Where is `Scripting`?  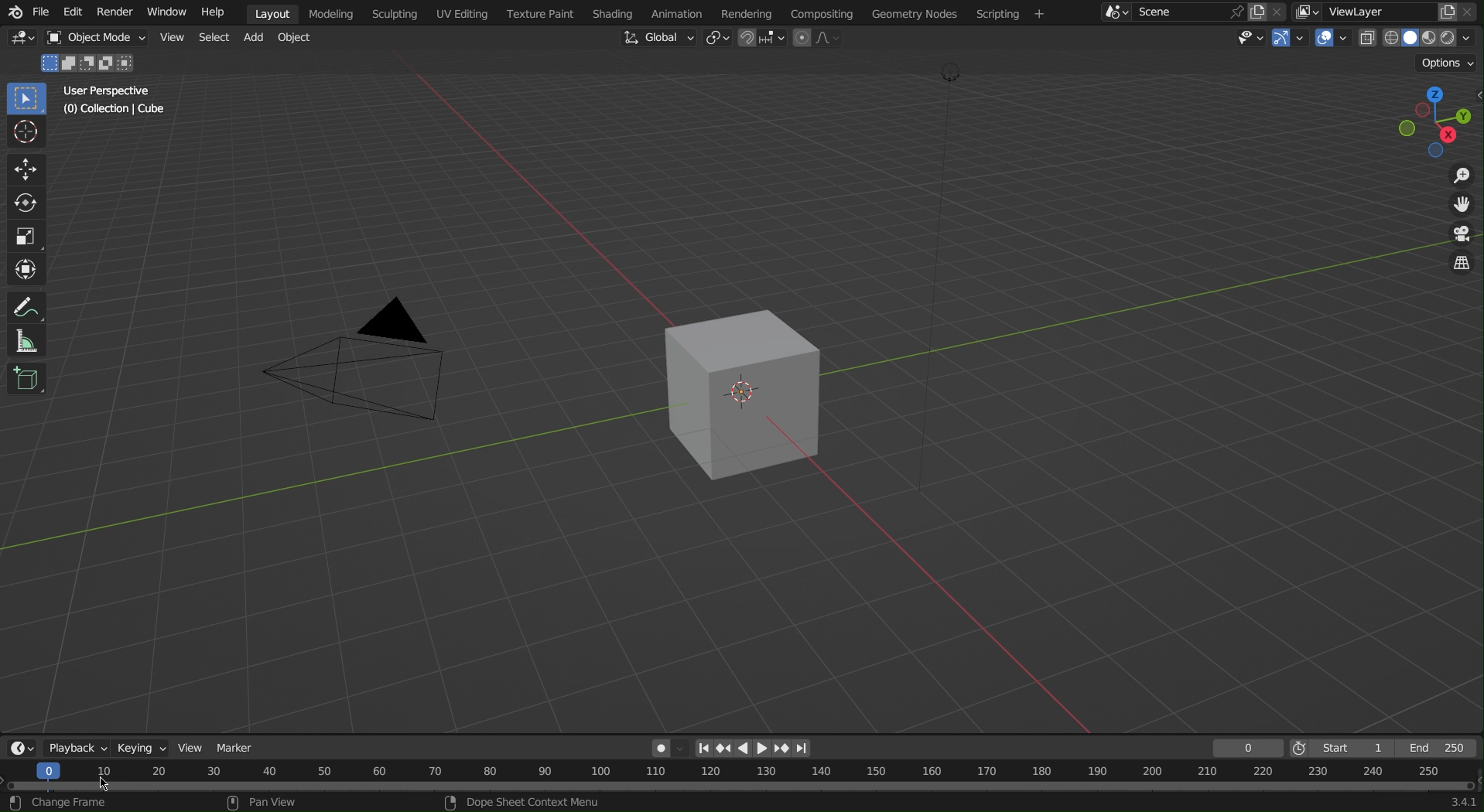
Scripting is located at coordinates (396, 12).